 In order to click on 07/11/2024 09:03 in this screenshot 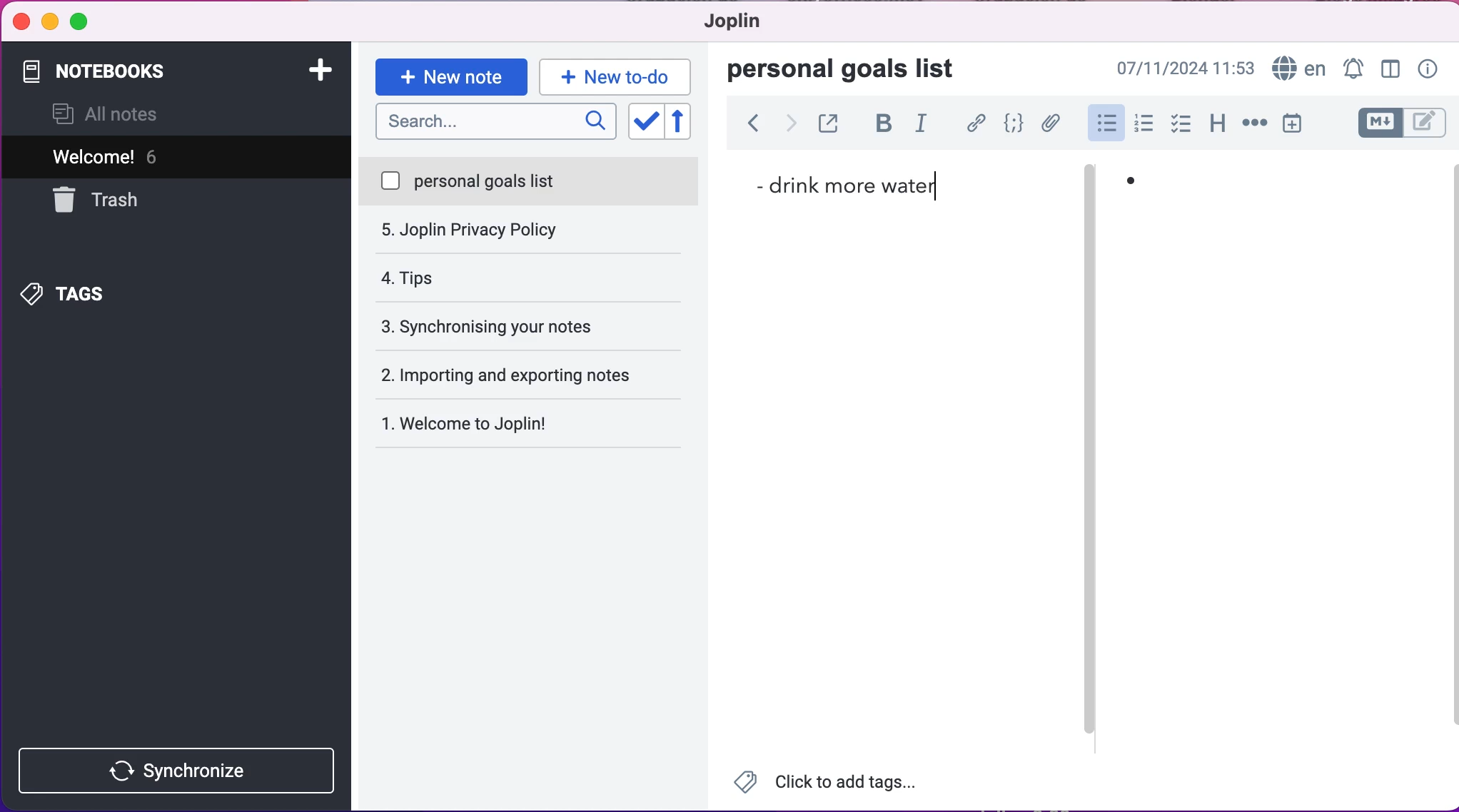, I will do `click(1183, 66)`.